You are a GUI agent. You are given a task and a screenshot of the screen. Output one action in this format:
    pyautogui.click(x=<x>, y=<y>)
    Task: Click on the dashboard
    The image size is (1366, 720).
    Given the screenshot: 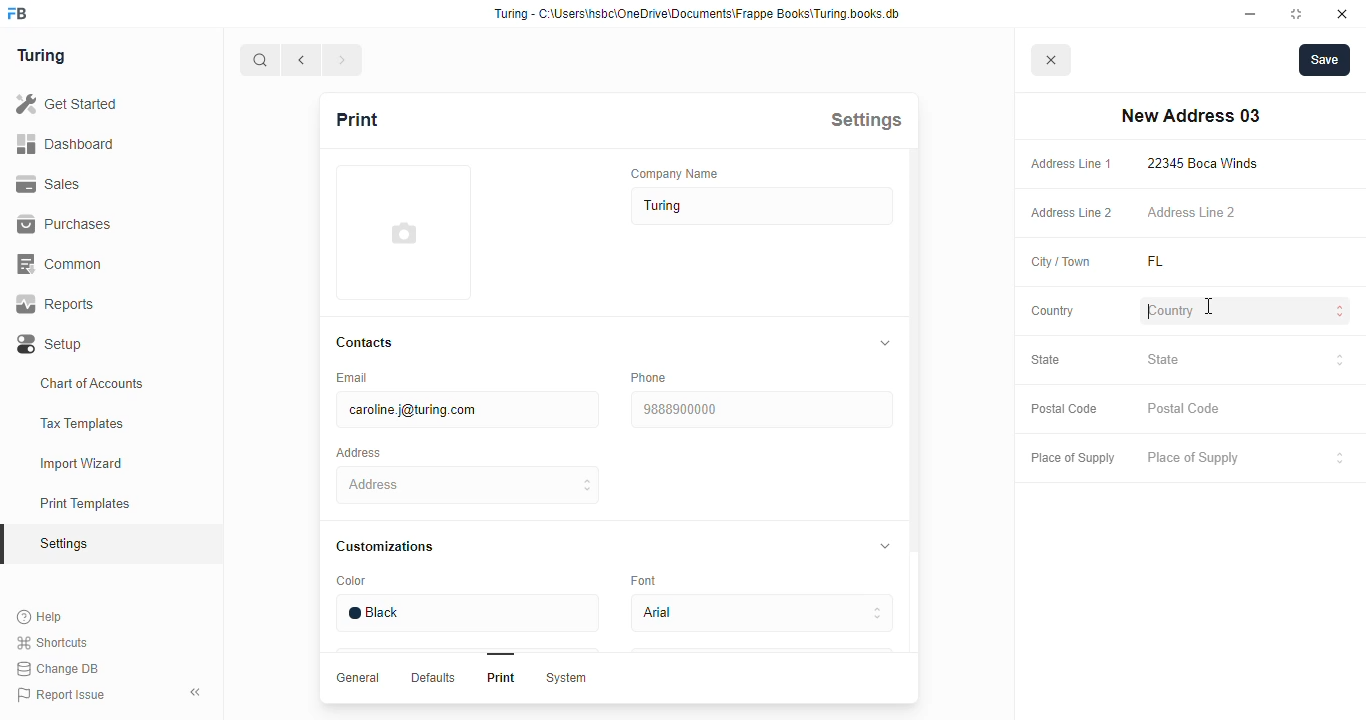 What is the action you would take?
    pyautogui.click(x=65, y=143)
    